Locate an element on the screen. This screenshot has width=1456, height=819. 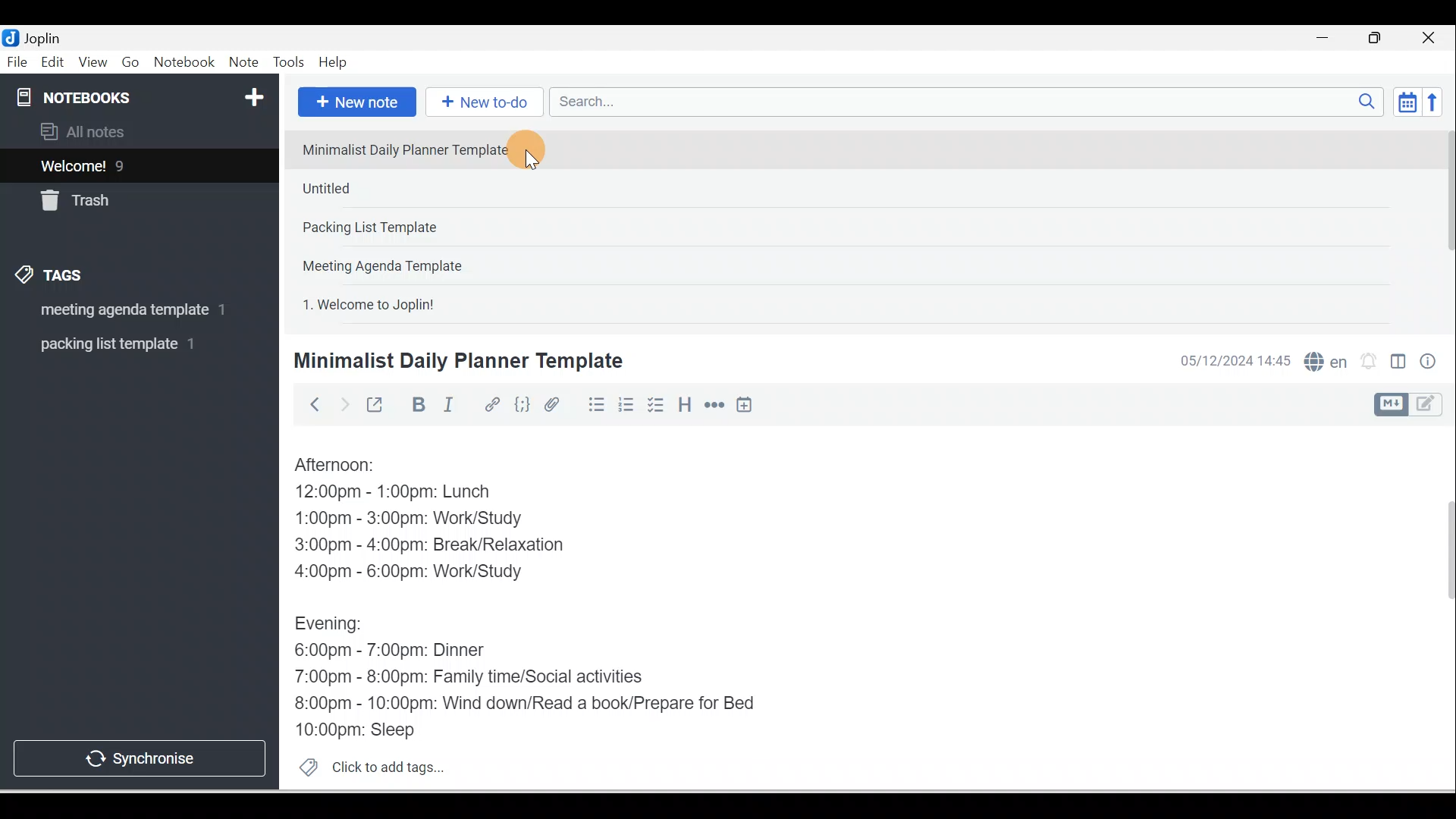
Checkbox is located at coordinates (654, 405).